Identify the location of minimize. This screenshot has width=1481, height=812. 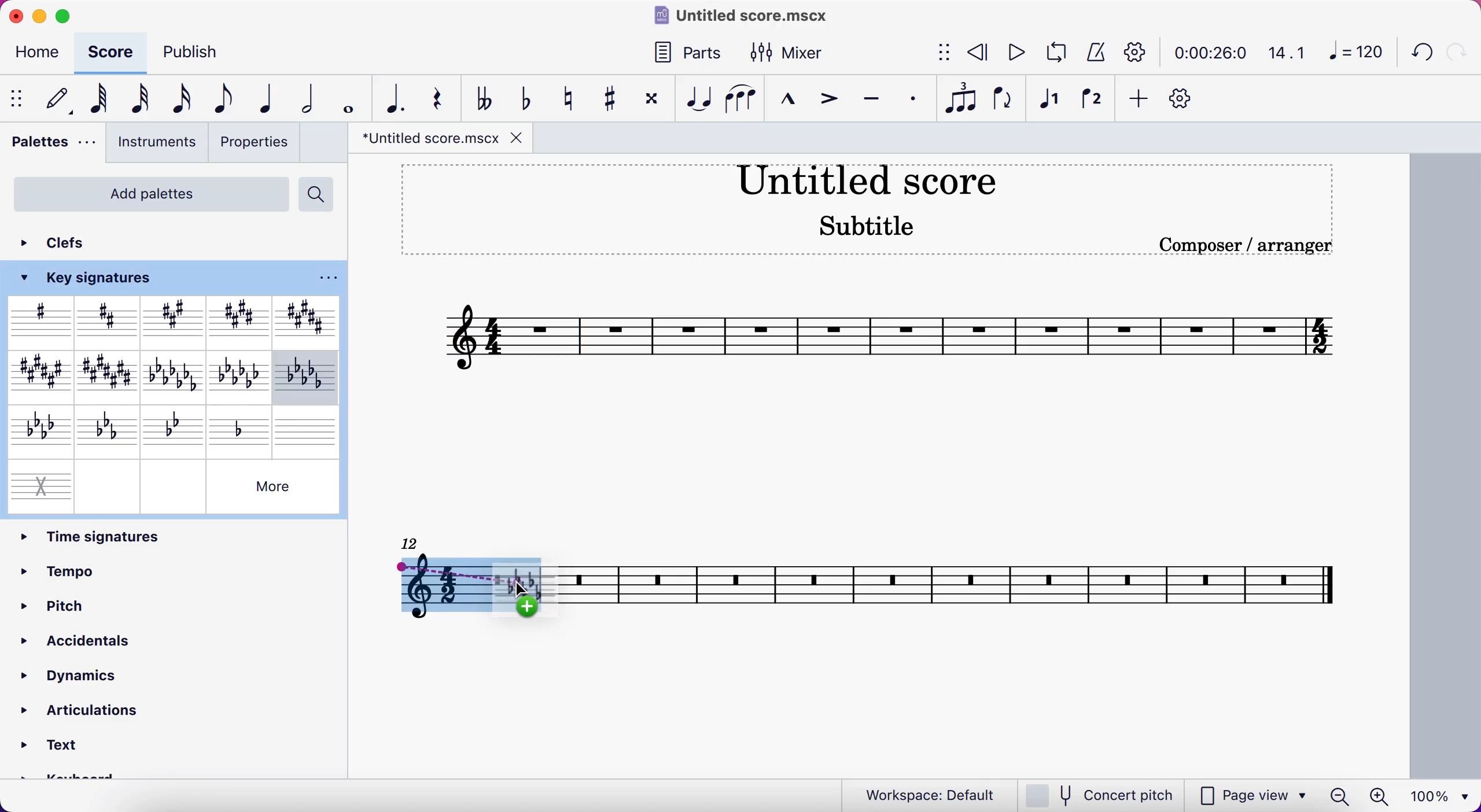
(43, 16).